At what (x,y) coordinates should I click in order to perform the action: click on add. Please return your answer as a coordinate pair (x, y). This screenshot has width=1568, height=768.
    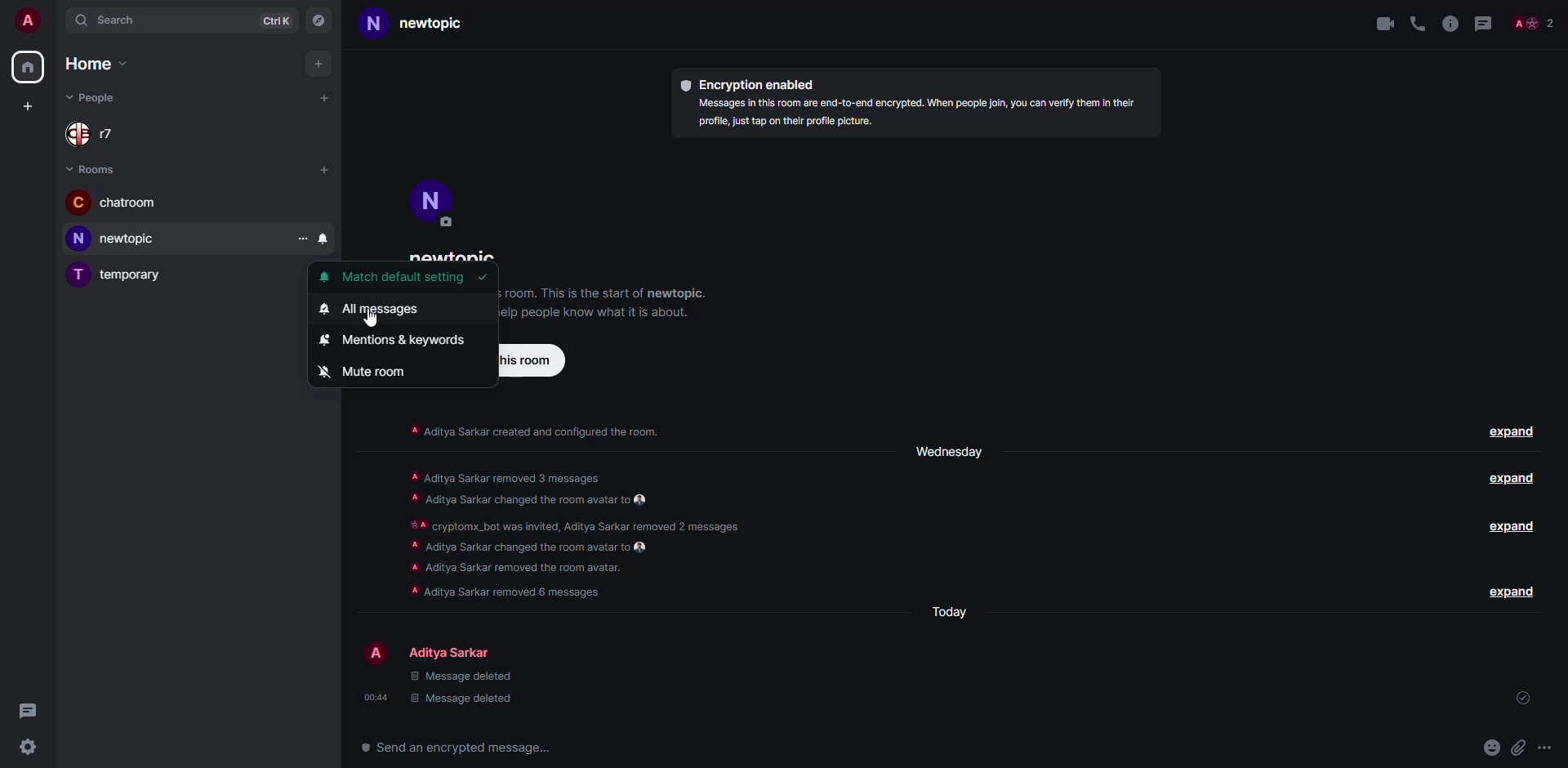
    Looking at the image, I should click on (26, 105).